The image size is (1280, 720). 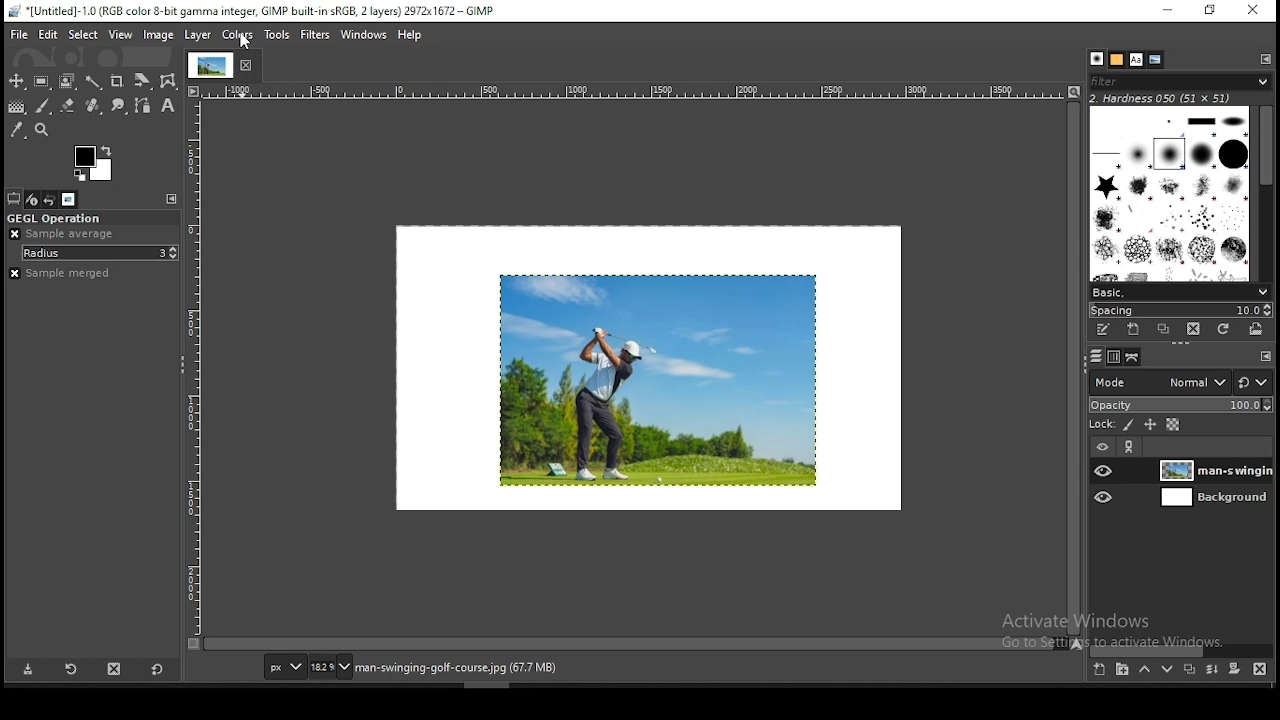 What do you see at coordinates (1256, 329) in the screenshot?
I see `open brush as image` at bounding box center [1256, 329].